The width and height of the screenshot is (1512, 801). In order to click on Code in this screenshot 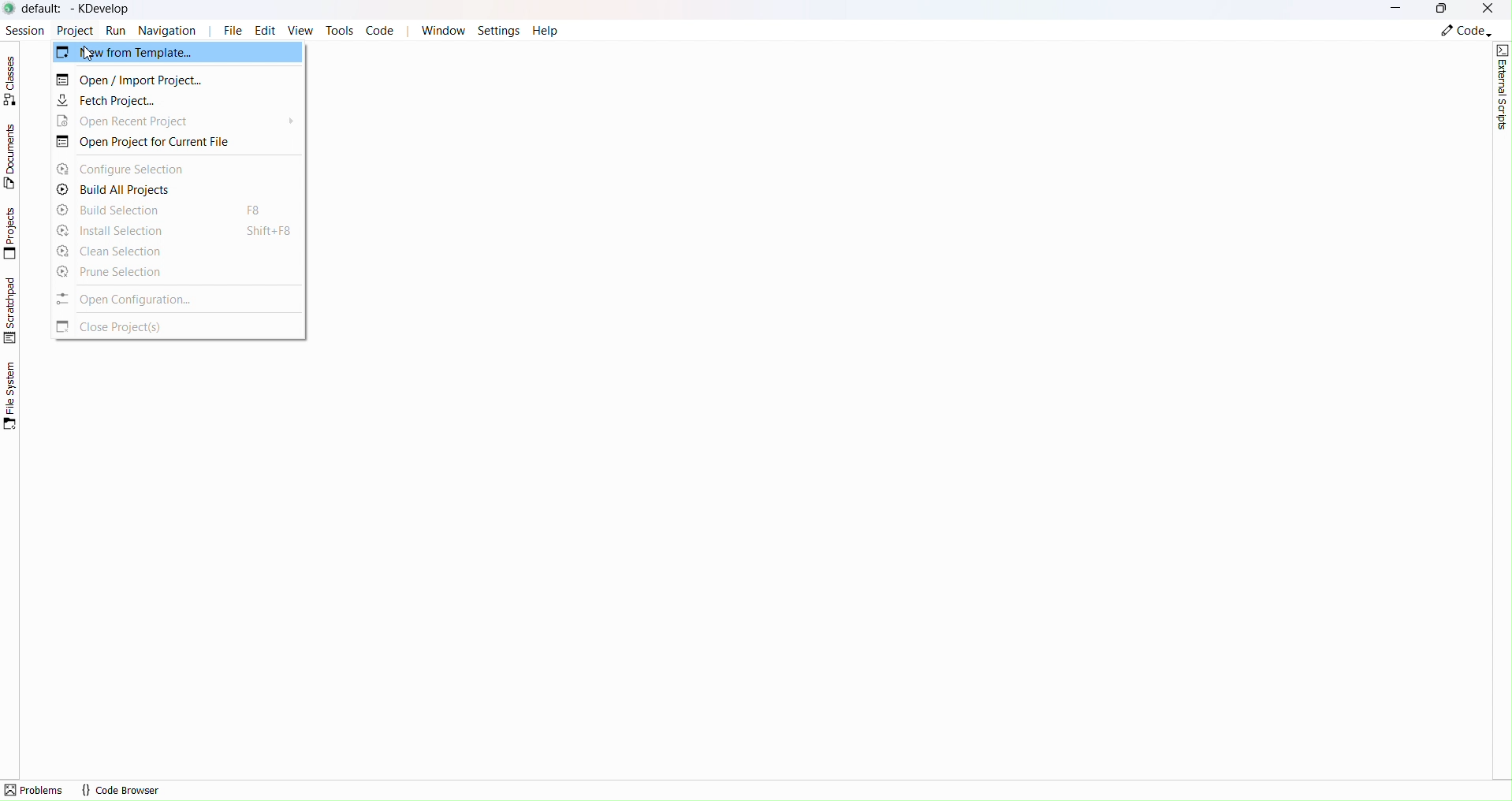, I will do `click(382, 31)`.